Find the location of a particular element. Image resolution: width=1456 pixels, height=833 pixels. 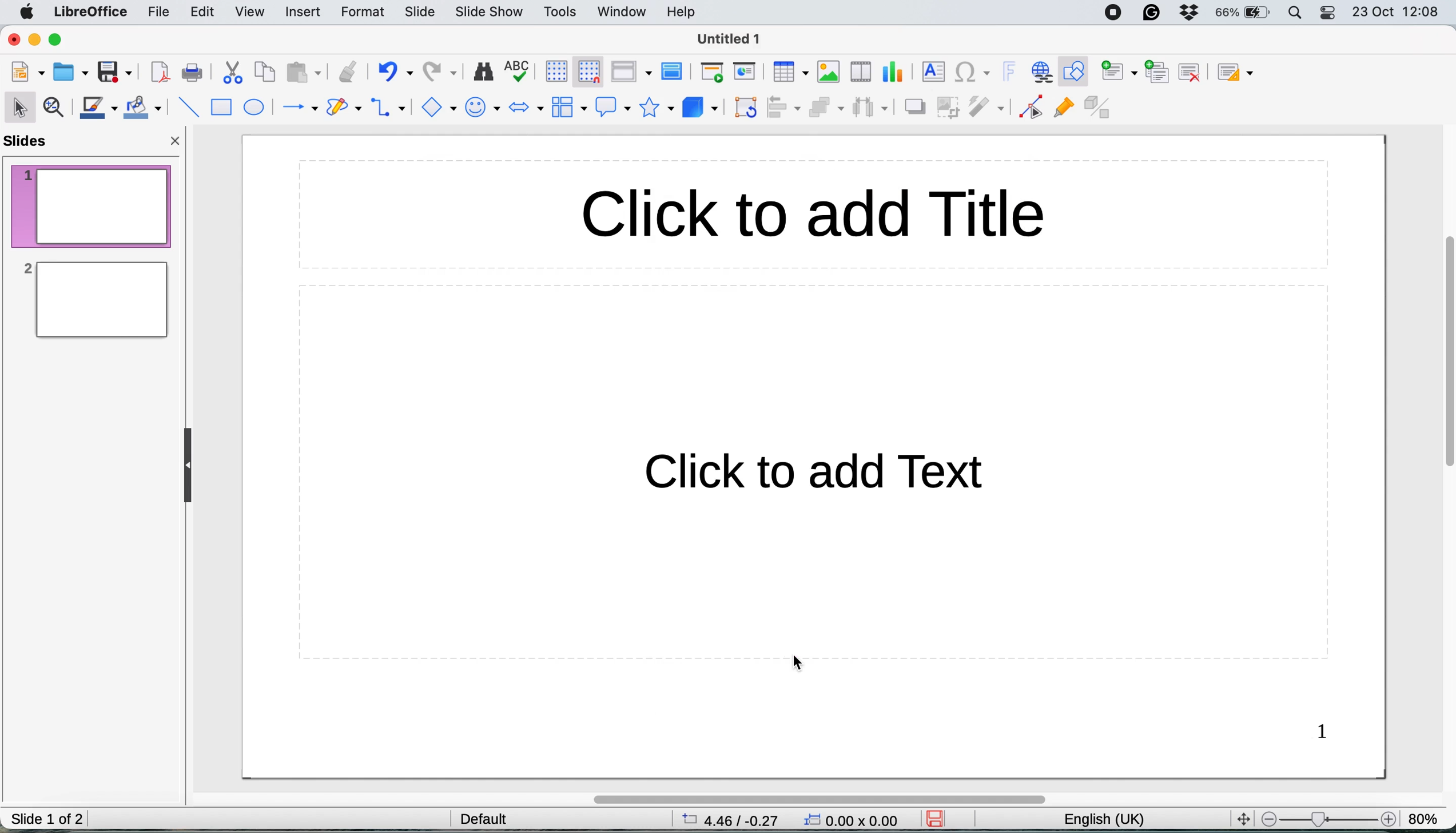

duplicate slide is located at coordinates (1158, 70).